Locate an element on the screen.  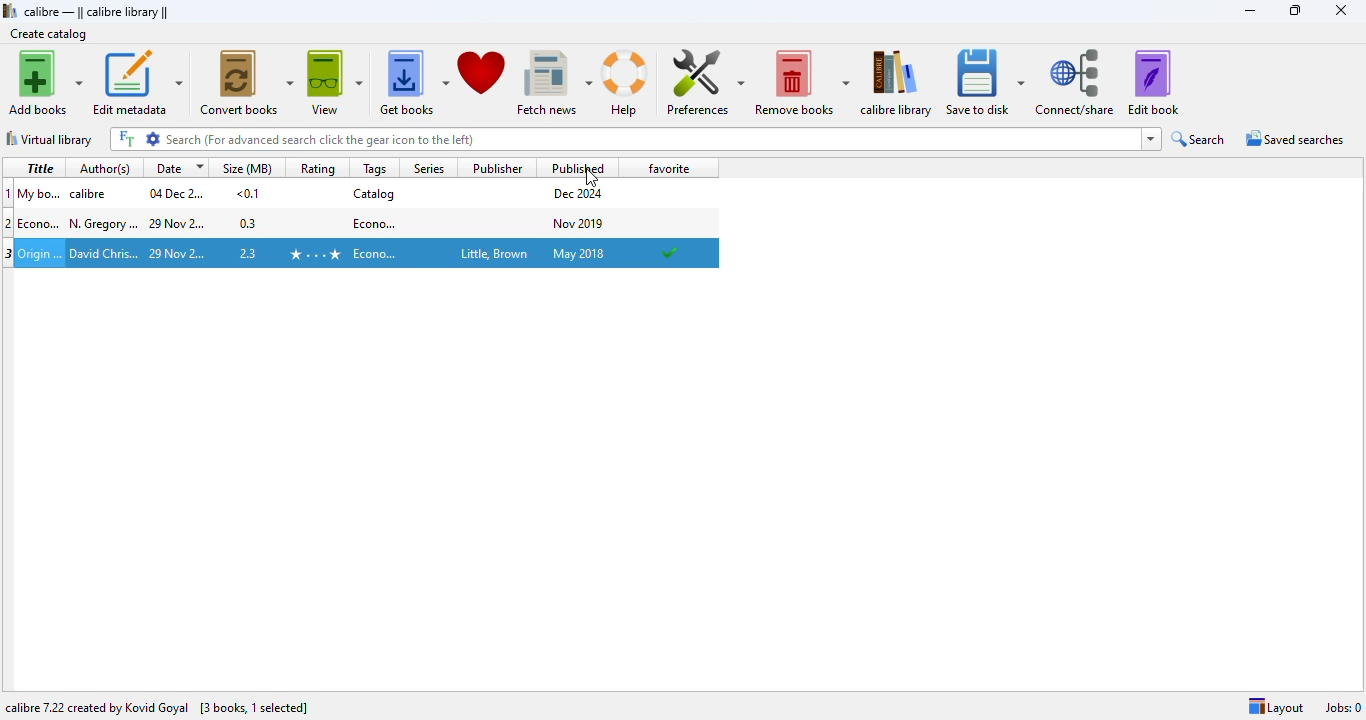
2 is located at coordinates (9, 223).